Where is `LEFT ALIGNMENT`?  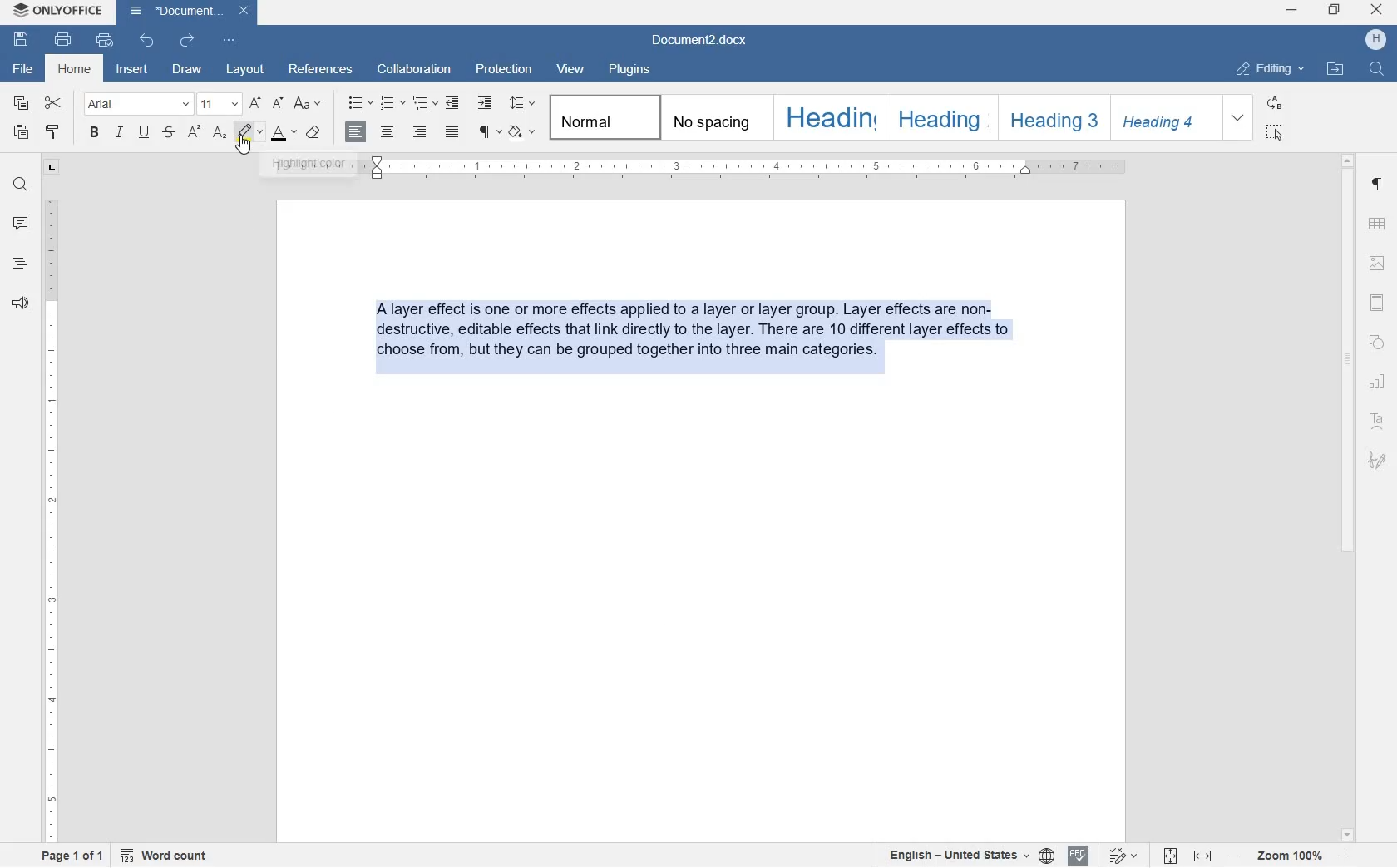 LEFT ALIGNMENT is located at coordinates (357, 132).